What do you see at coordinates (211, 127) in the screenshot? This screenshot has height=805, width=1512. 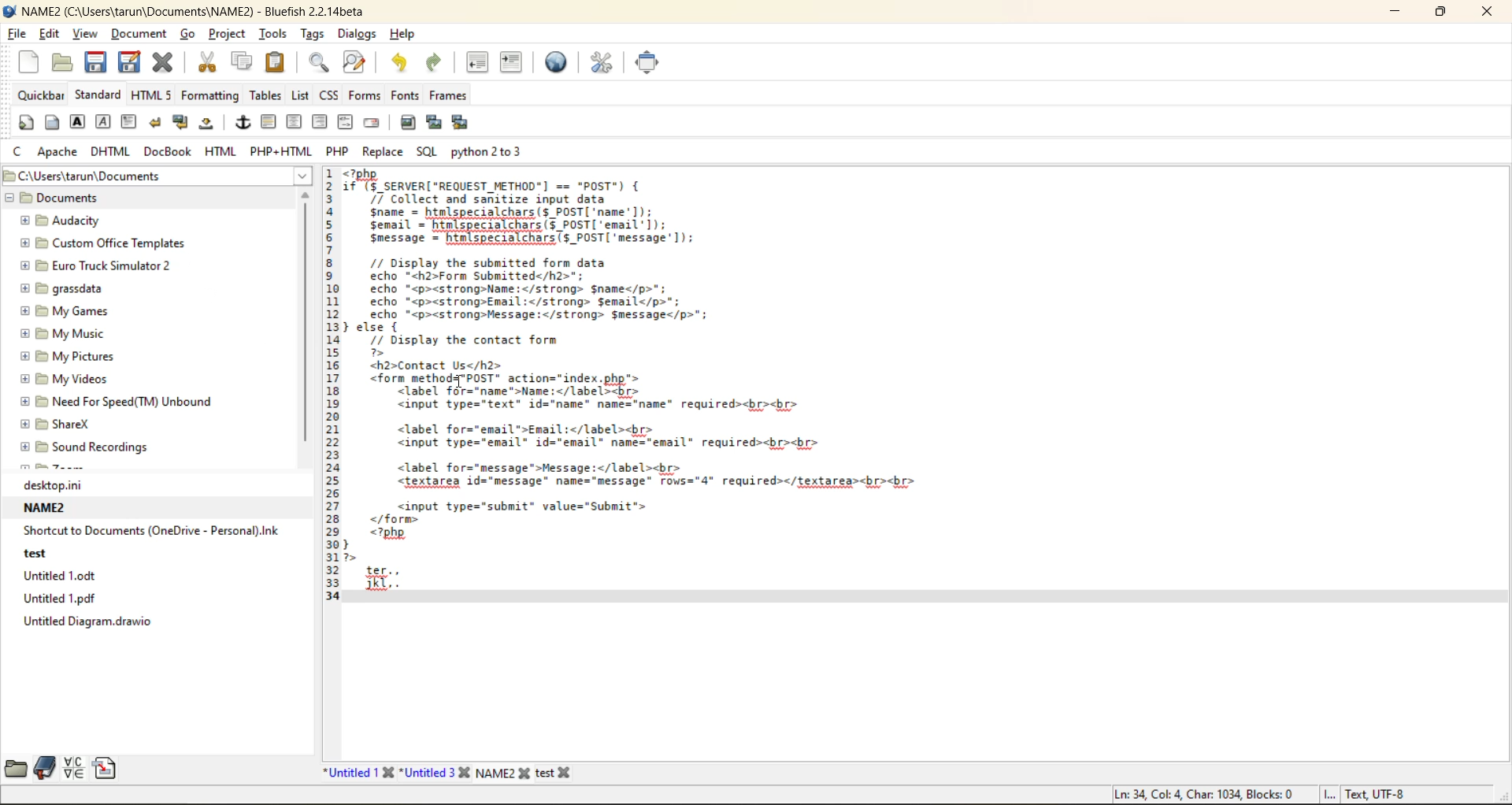 I see `non breaking space` at bounding box center [211, 127].